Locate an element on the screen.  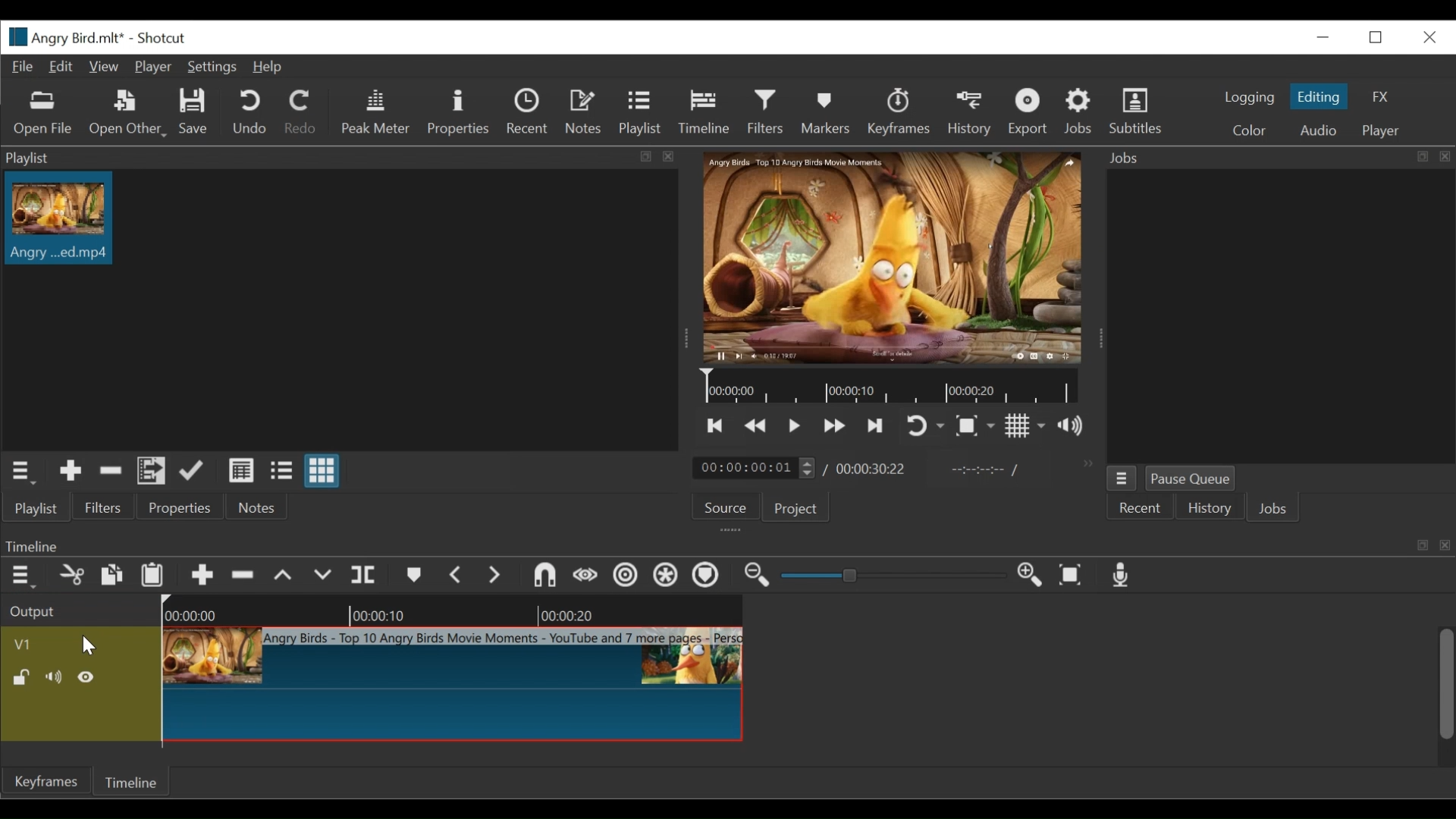
Zoom timeline out is located at coordinates (758, 576).